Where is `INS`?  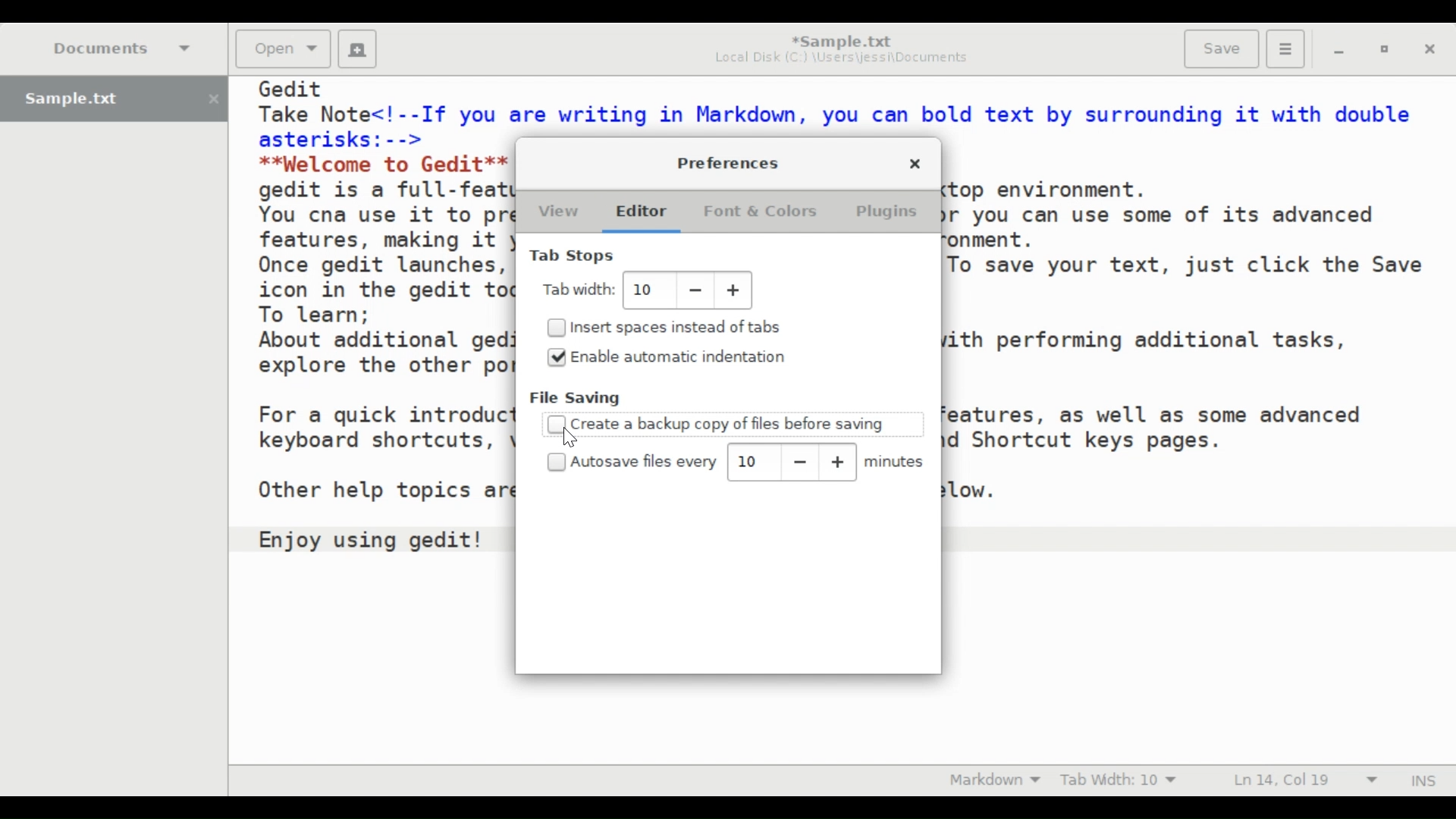
INS is located at coordinates (1422, 779).